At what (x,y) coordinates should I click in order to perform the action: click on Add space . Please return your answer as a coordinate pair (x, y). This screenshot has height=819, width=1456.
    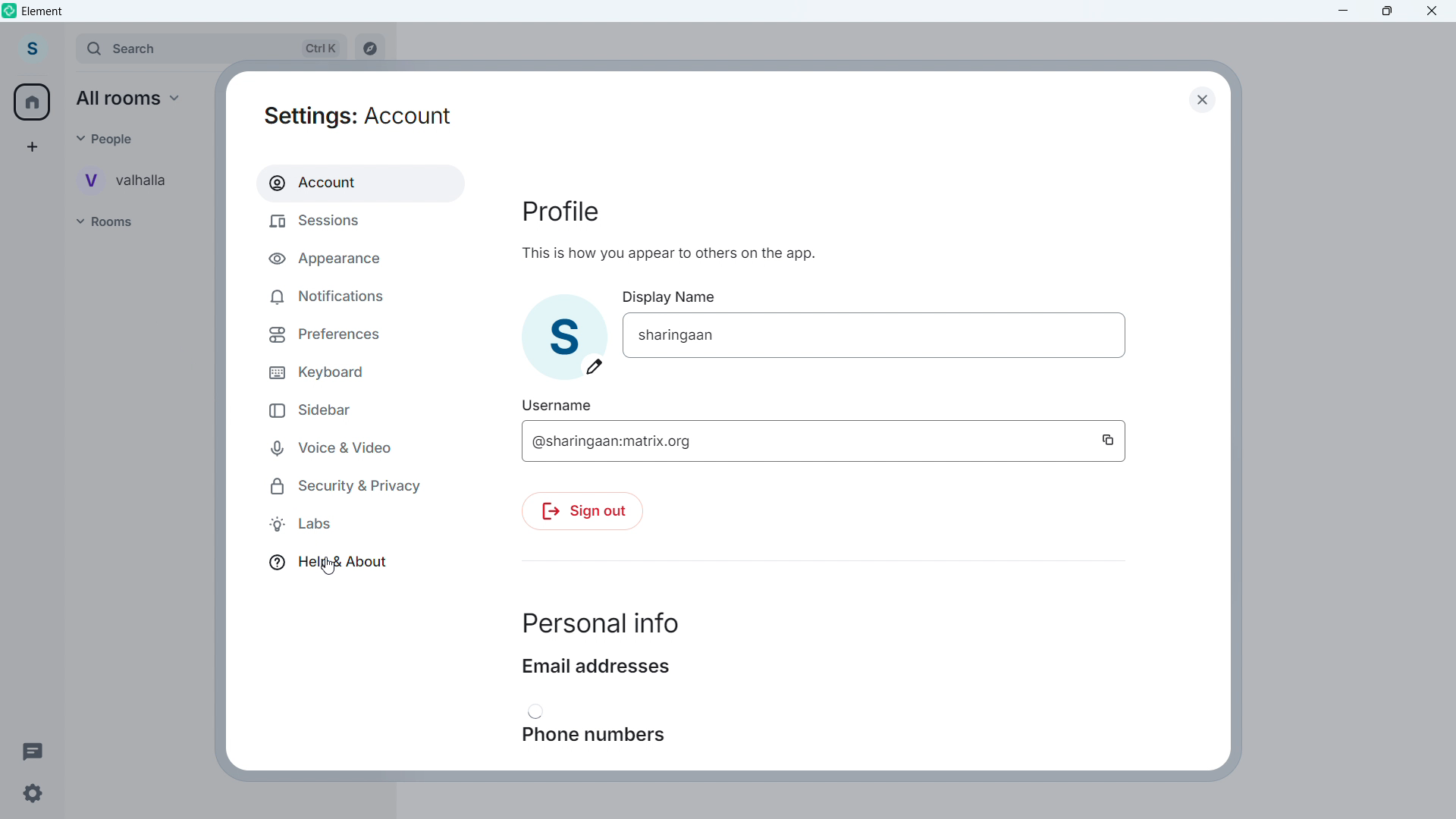
    Looking at the image, I should click on (30, 146).